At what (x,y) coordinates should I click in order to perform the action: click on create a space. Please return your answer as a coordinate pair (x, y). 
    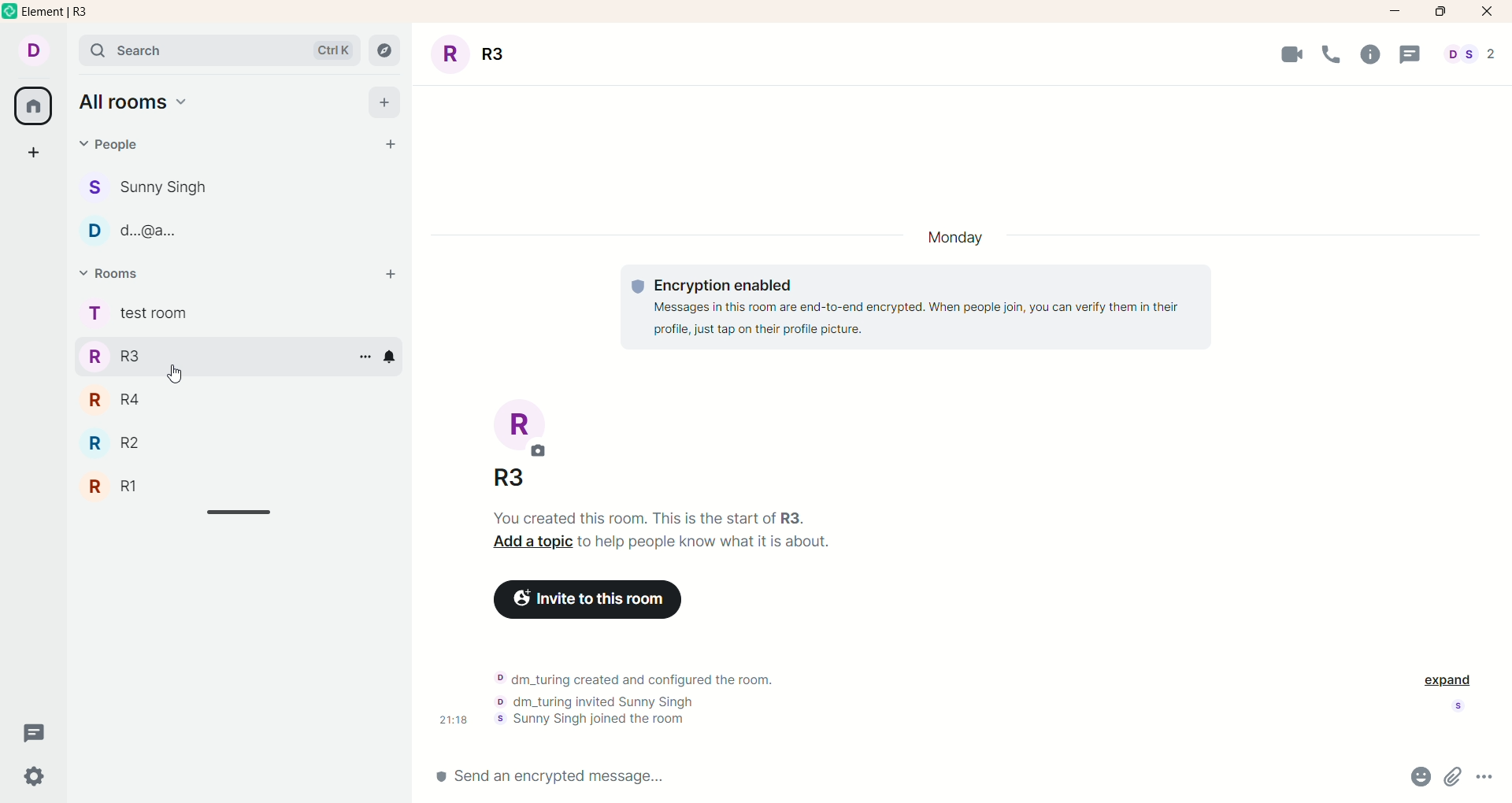
    Looking at the image, I should click on (35, 156).